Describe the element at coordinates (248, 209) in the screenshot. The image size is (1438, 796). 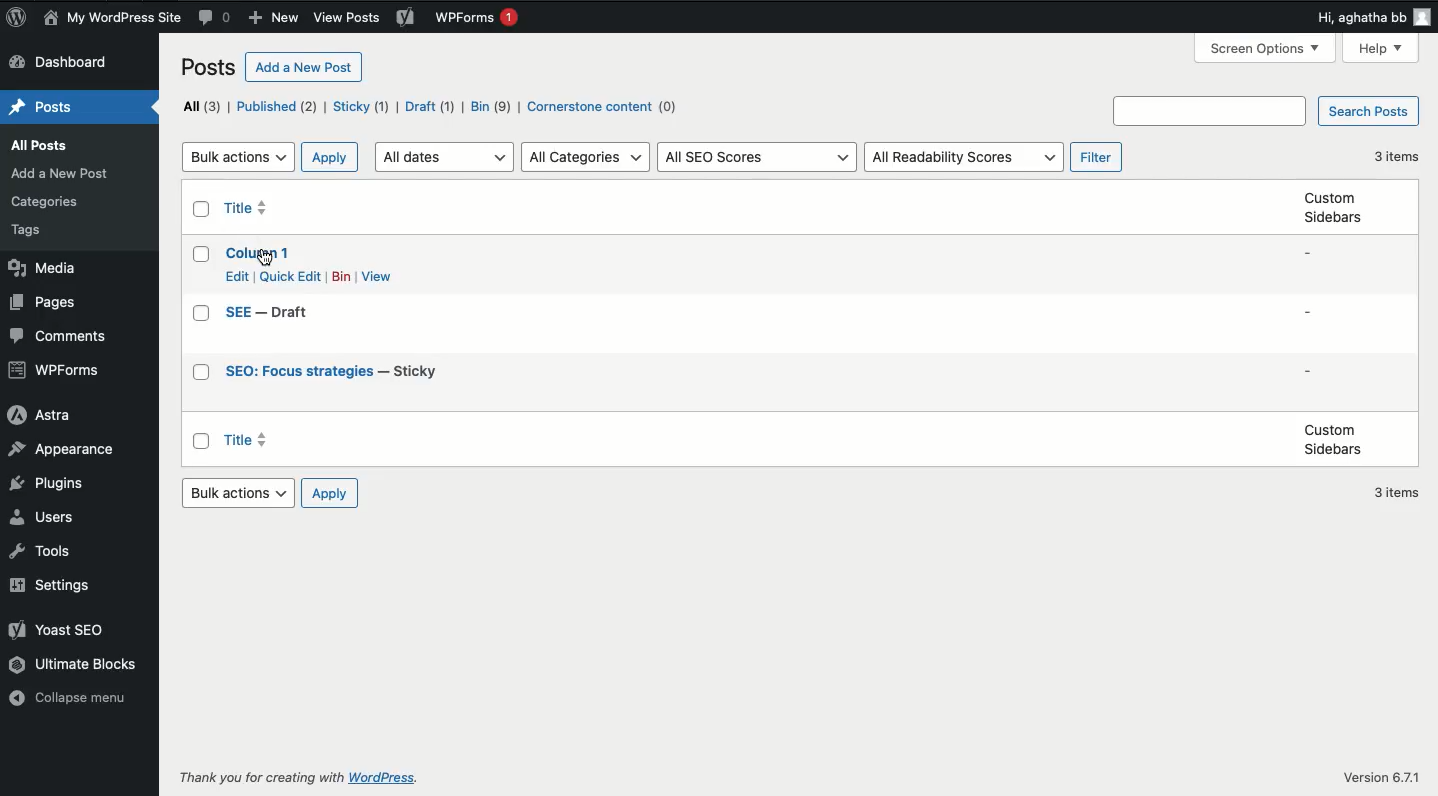
I see `Title` at that location.